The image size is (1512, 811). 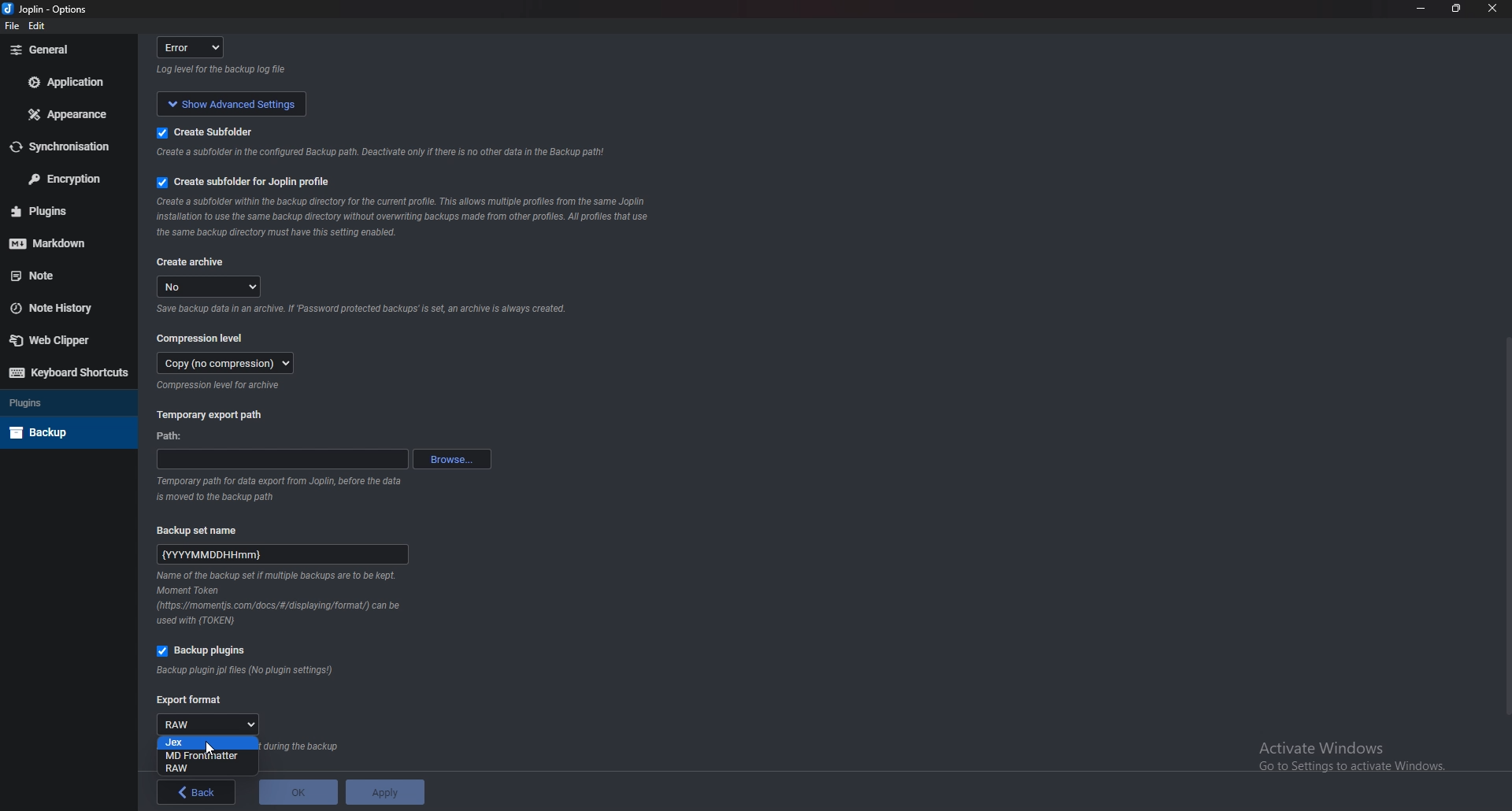 I want to click on path, so click(x=282, y=459).